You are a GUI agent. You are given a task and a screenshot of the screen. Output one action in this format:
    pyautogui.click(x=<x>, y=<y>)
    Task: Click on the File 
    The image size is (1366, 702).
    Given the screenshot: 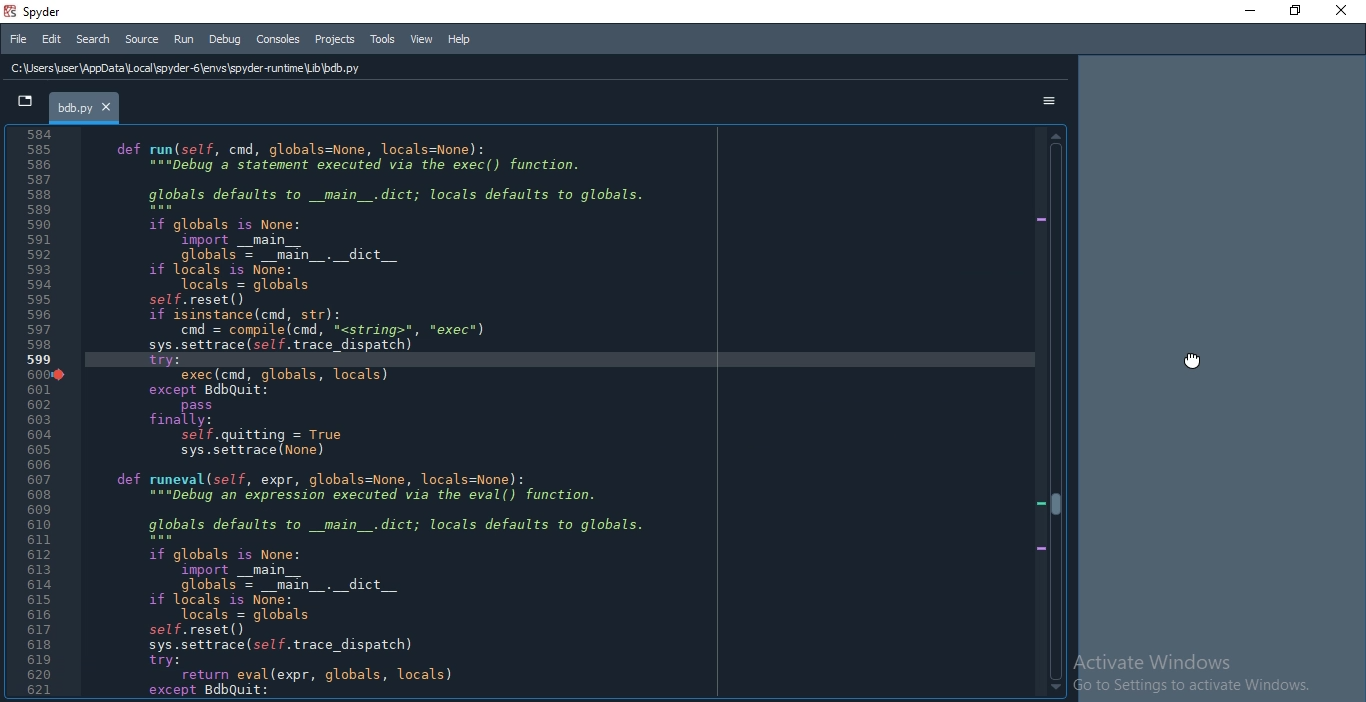 What is the action you would take?
    pyautogui.click(x=18, y=37)
    